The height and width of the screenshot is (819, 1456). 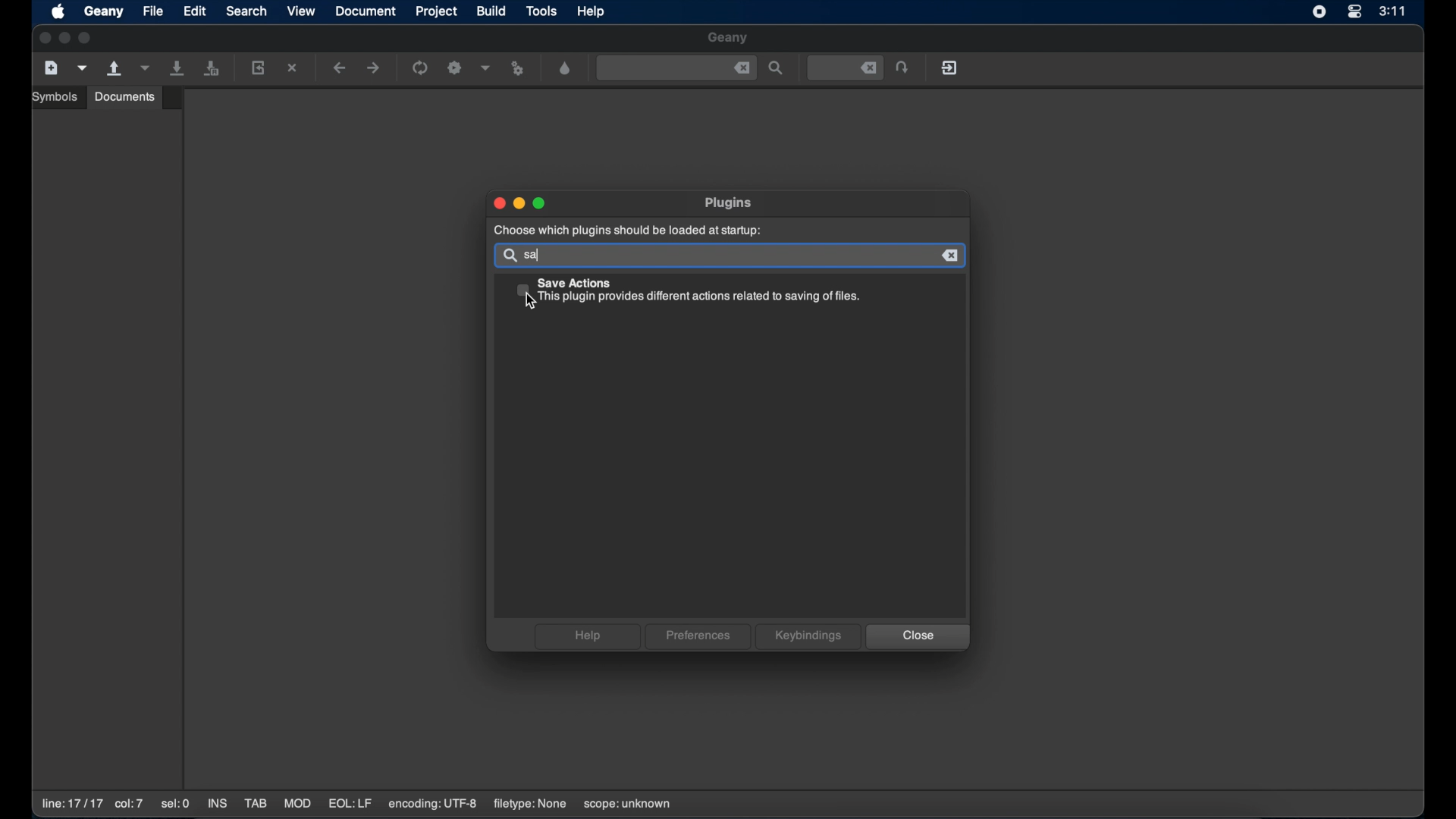 What do you see at coordinates (83, 68) in the screenshot?
I see `create a new file from template` at bounding box center [83, 68].